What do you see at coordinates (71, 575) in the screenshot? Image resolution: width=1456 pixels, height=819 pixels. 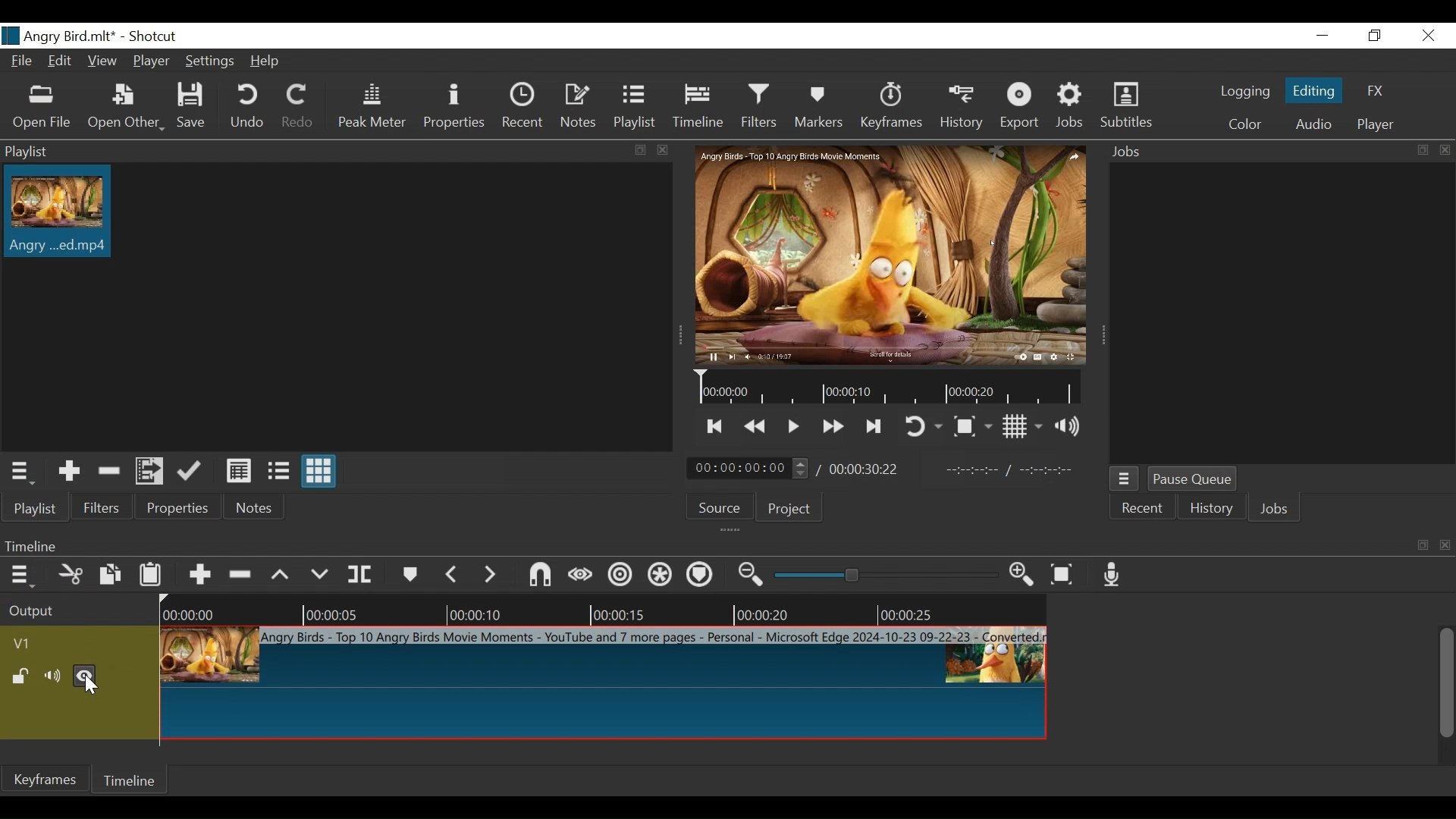 I see `Cut` at bounding box center [71, 575].